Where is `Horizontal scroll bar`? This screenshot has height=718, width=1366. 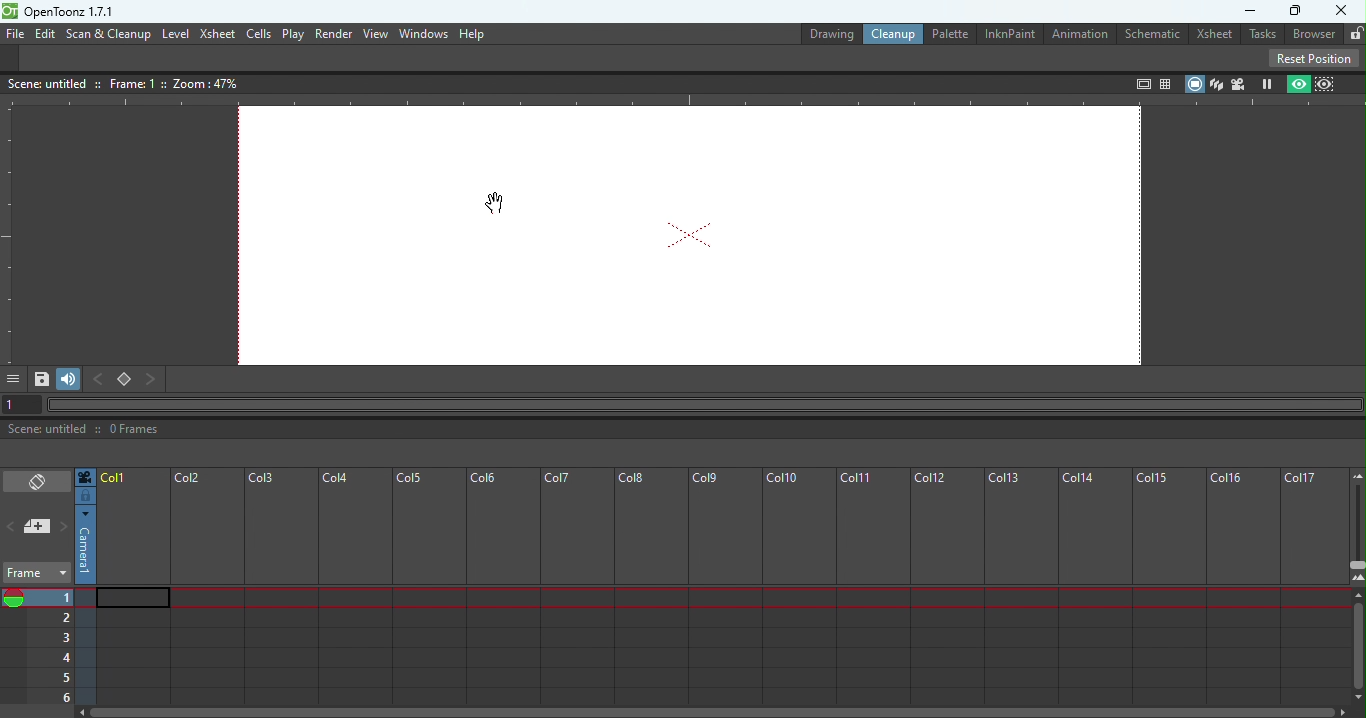
Horizontal scroll bar is located at coordinates (698, 406).